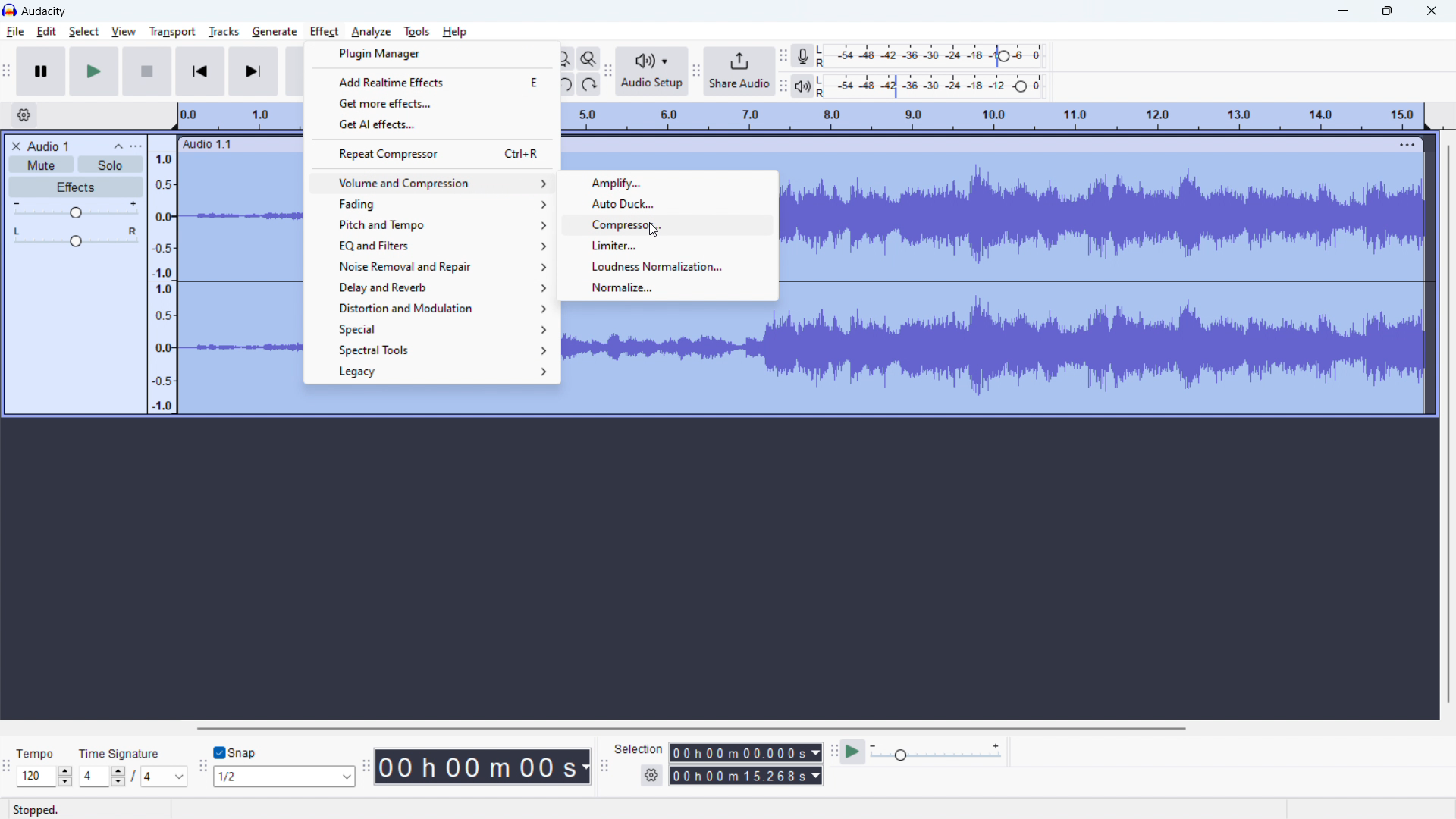 Image resolution: width=1456 pixels, height=819 pixels. Describe the element at coordinates (696, 71) in the screenshot. I see `share audio toolbar` at that location.